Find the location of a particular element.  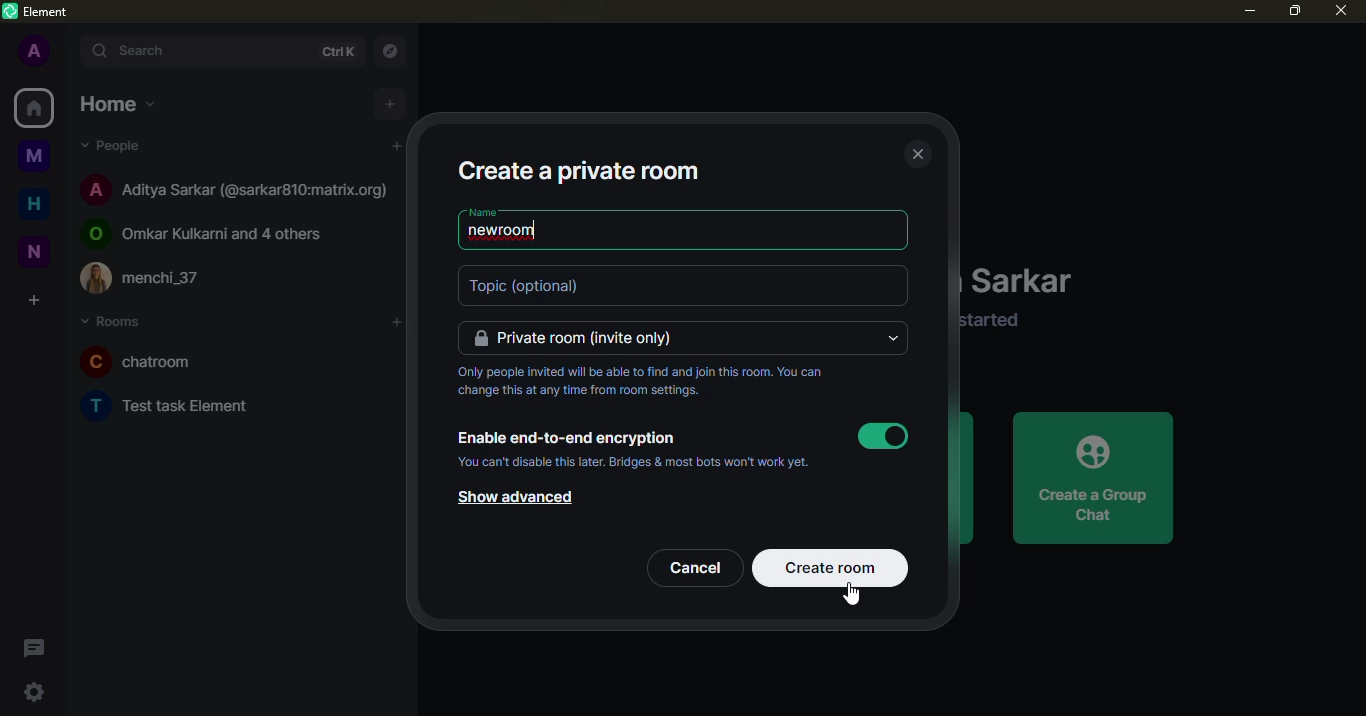

create a private room is located at coordinates (581, 167).